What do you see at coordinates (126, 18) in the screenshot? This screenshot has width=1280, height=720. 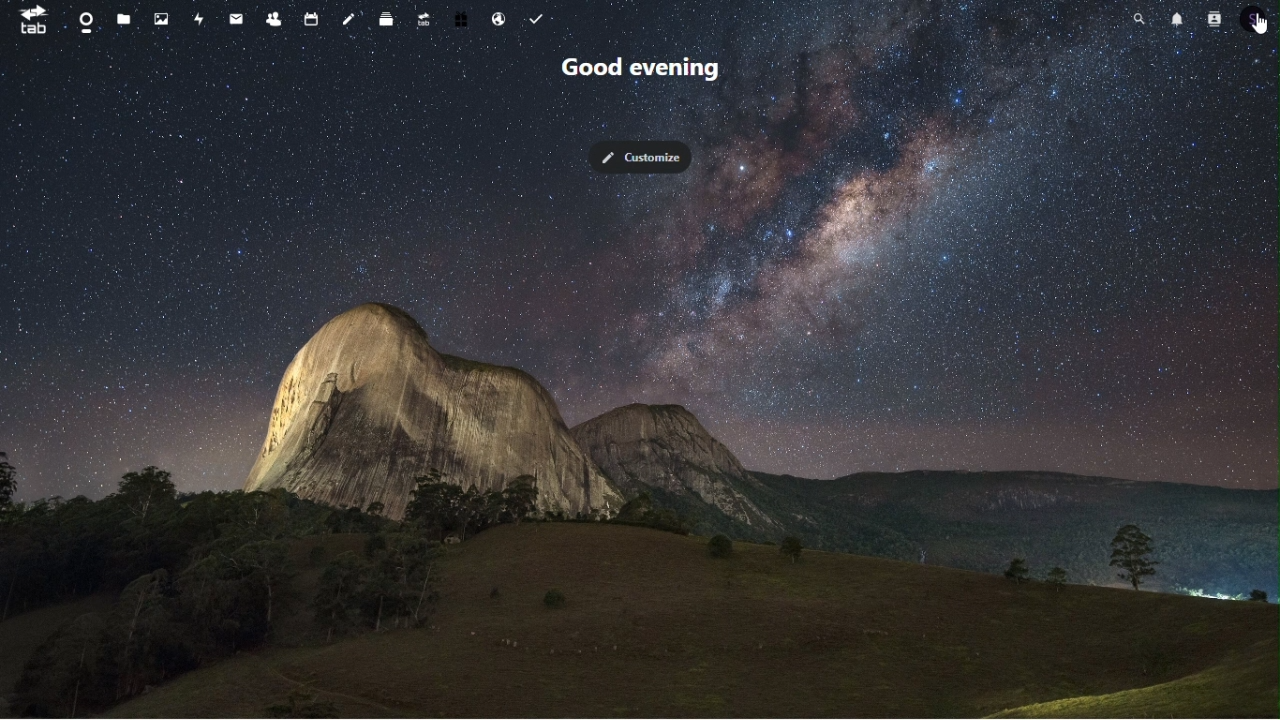 I see `files` at bounding box center [126, 18].